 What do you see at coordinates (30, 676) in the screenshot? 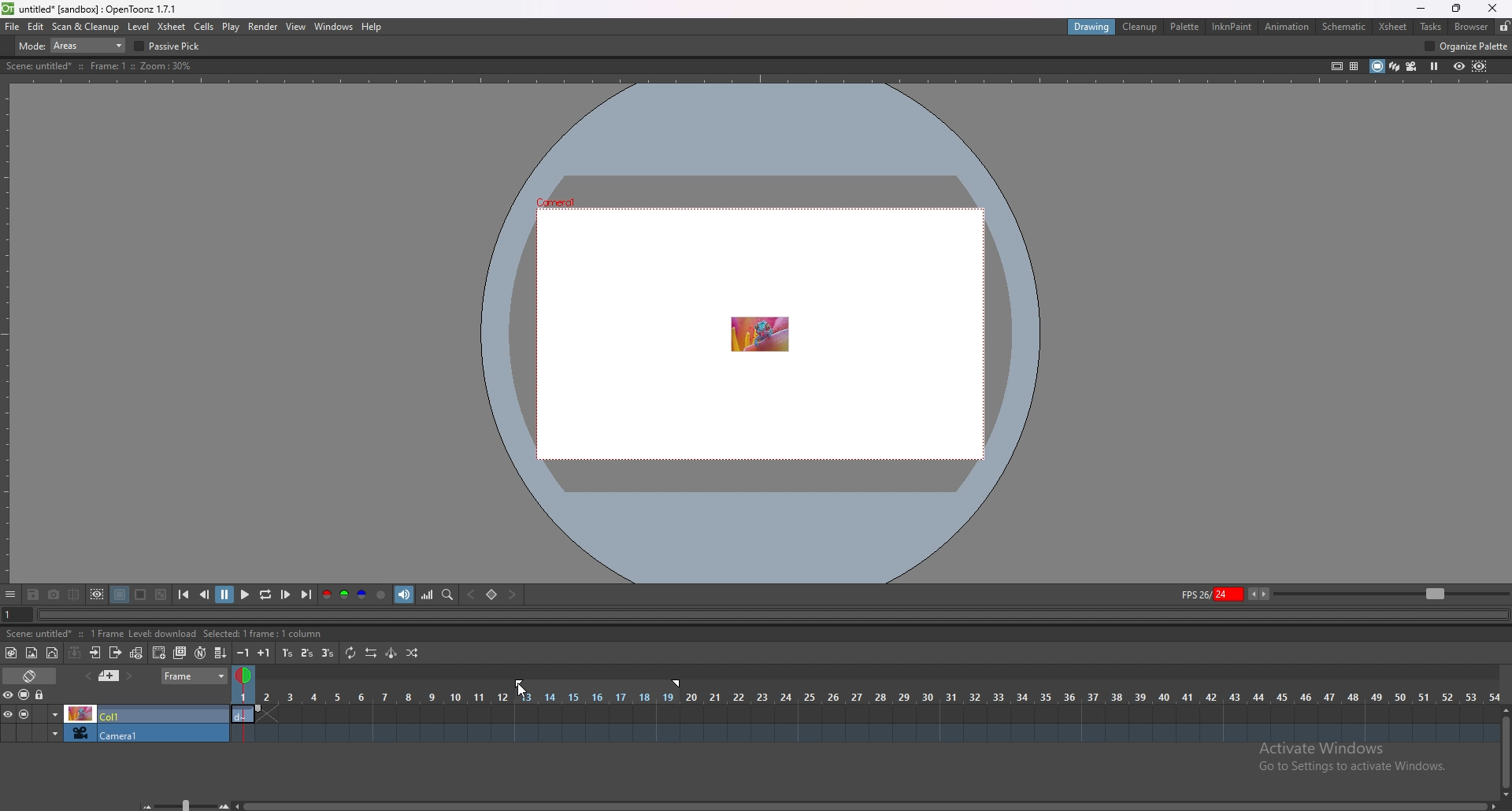
I see `toggle timeline` at bounding box center [30, 676].